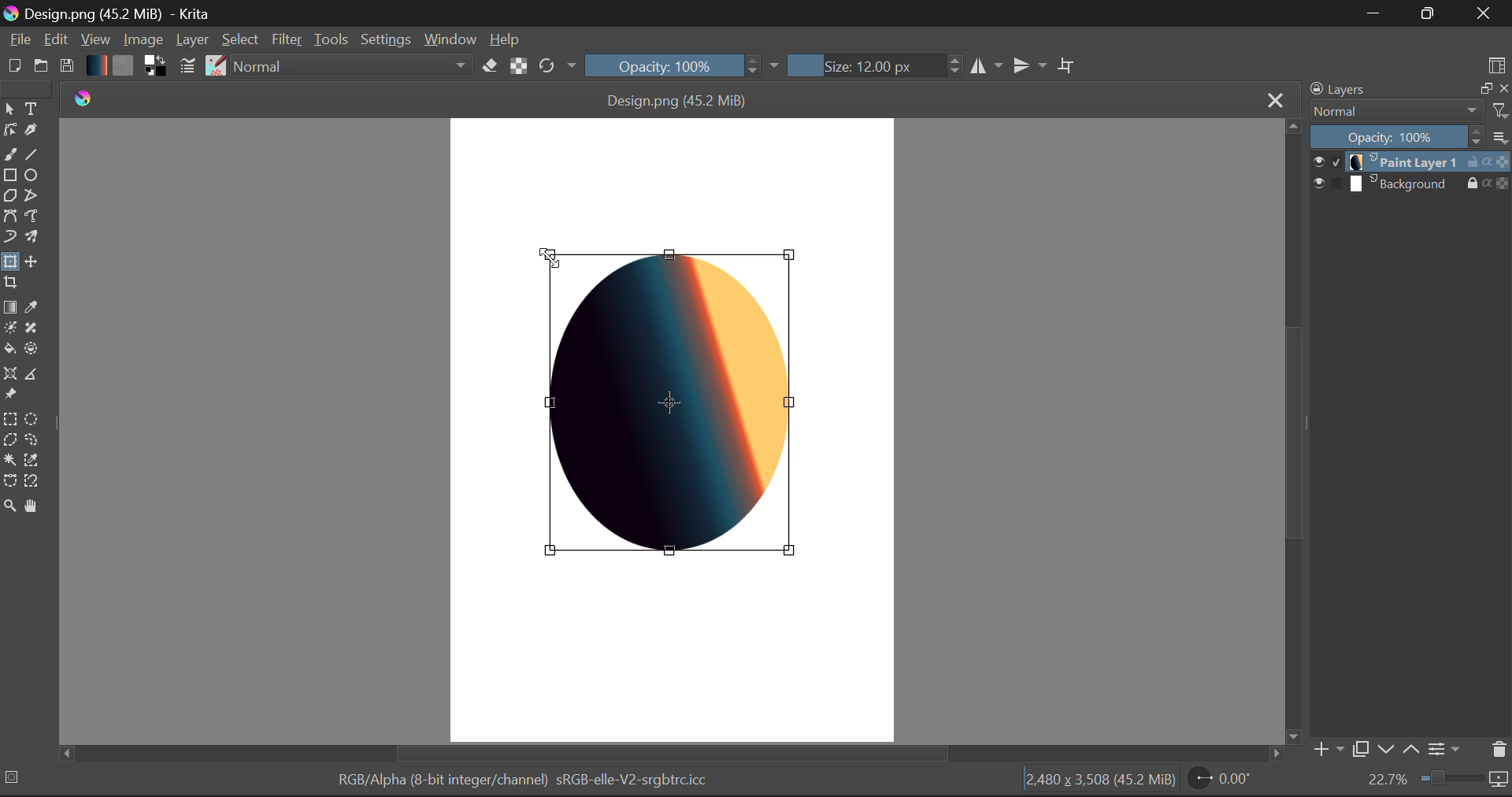 The width and height of the screenshot is (1512, 797). I want to click on Layer, so click(192, 41).